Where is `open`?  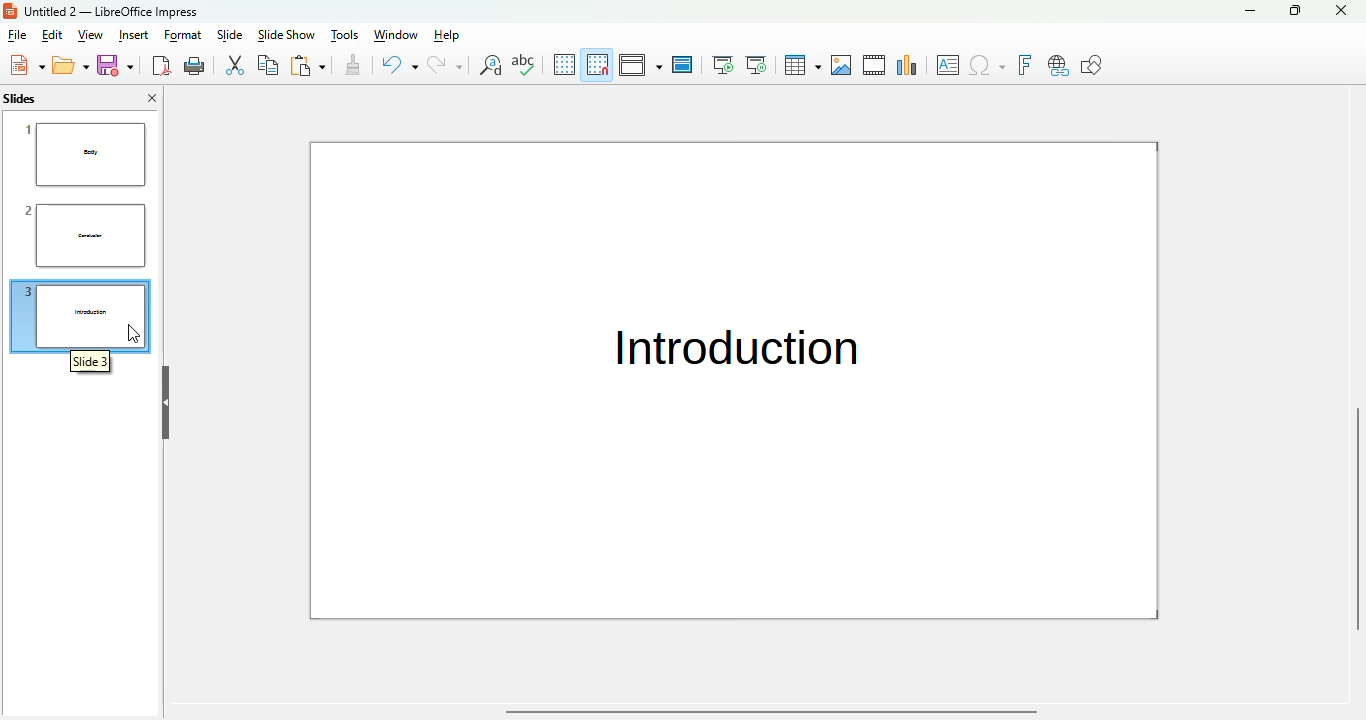 open is located at coordinates (71, 65).